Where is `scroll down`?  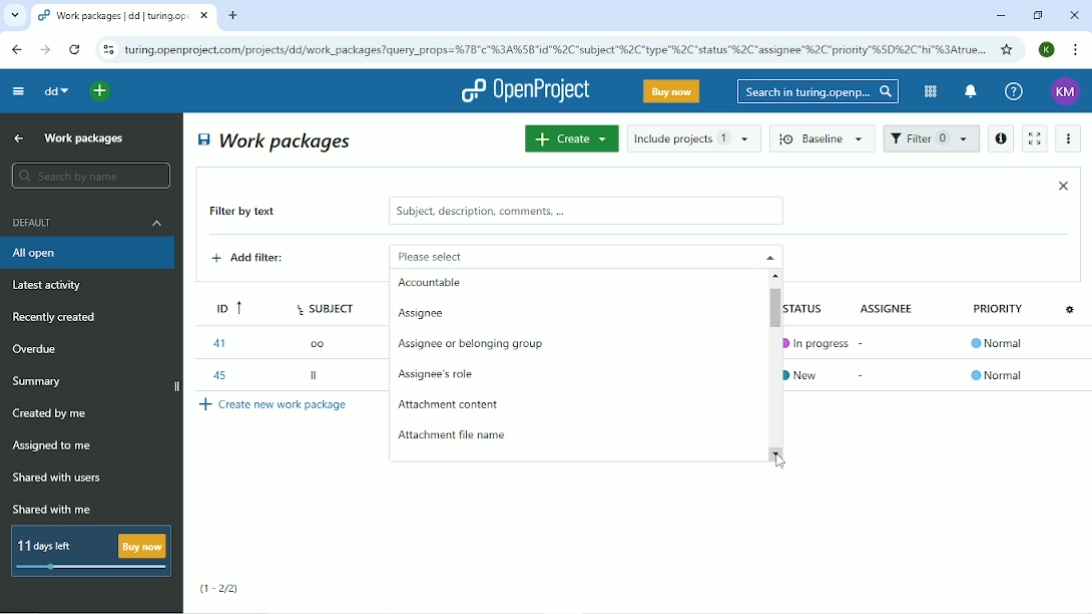 scroll down is located at coordinates (780, 453).